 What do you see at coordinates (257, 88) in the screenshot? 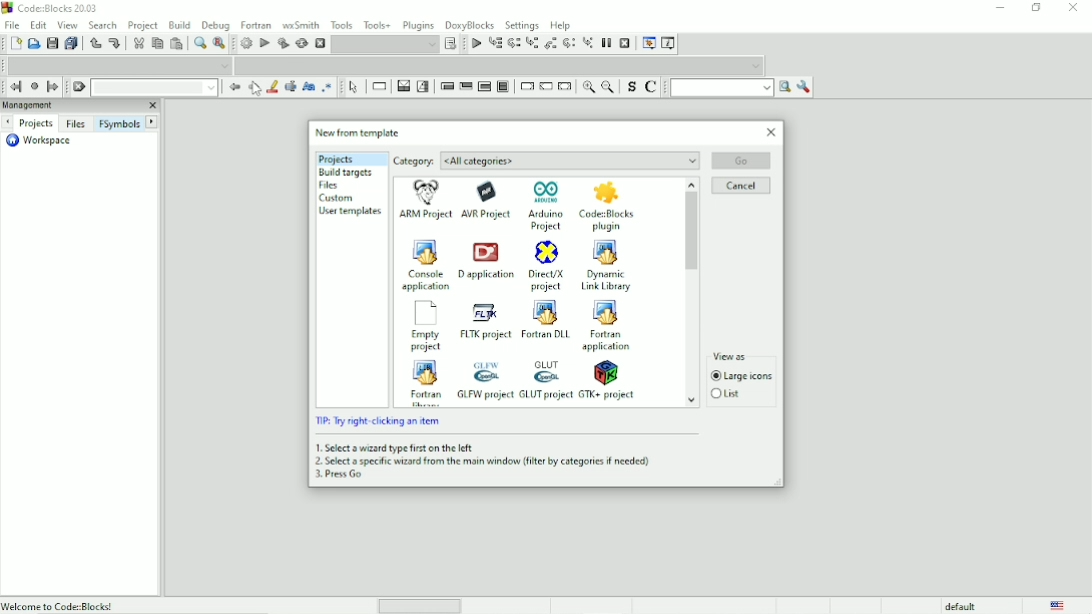
I see `Cursor` at bounding box center [257, 88].